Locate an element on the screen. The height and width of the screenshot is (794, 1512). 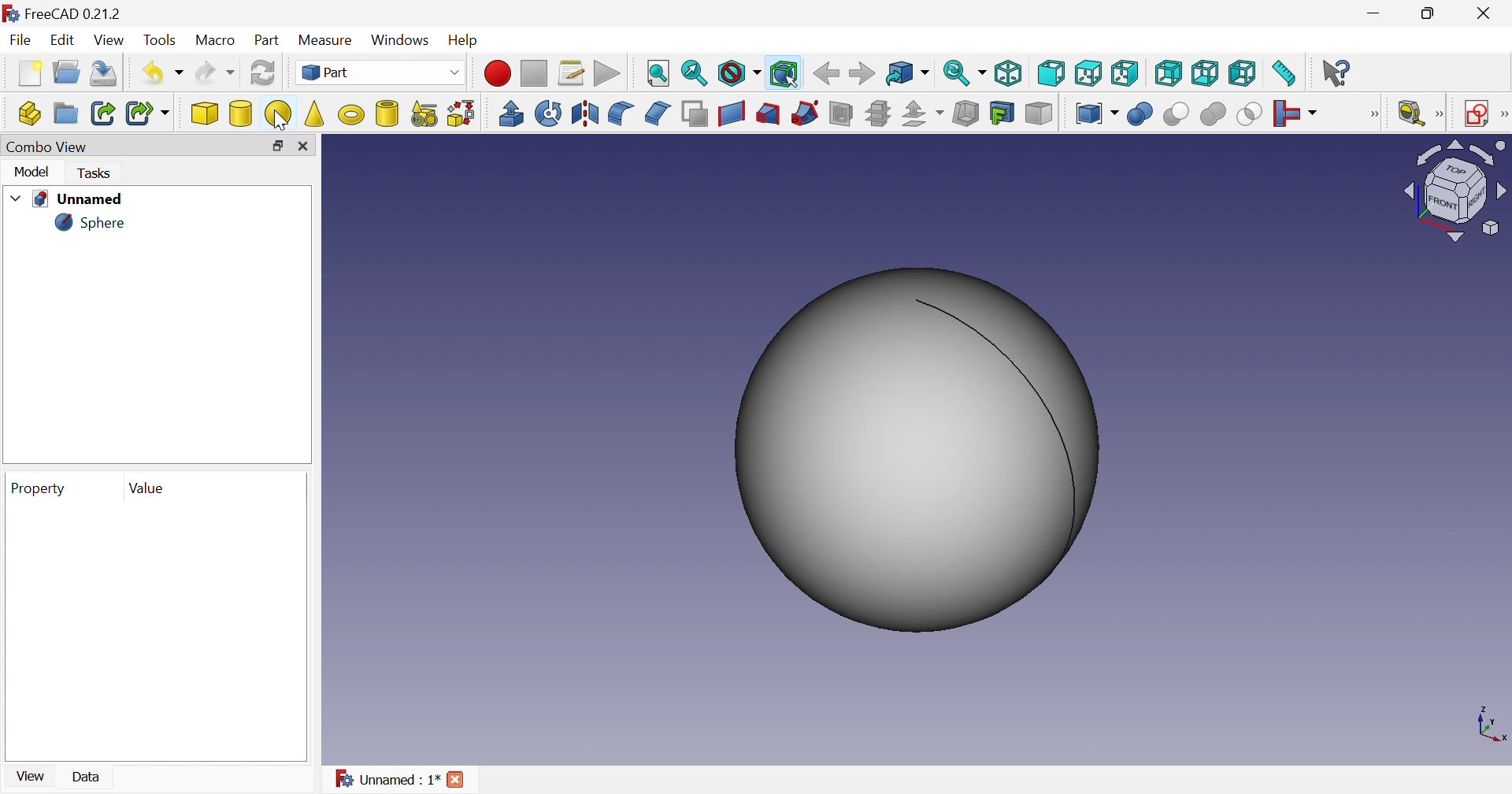
Forward is located at coordinates (861, 74).